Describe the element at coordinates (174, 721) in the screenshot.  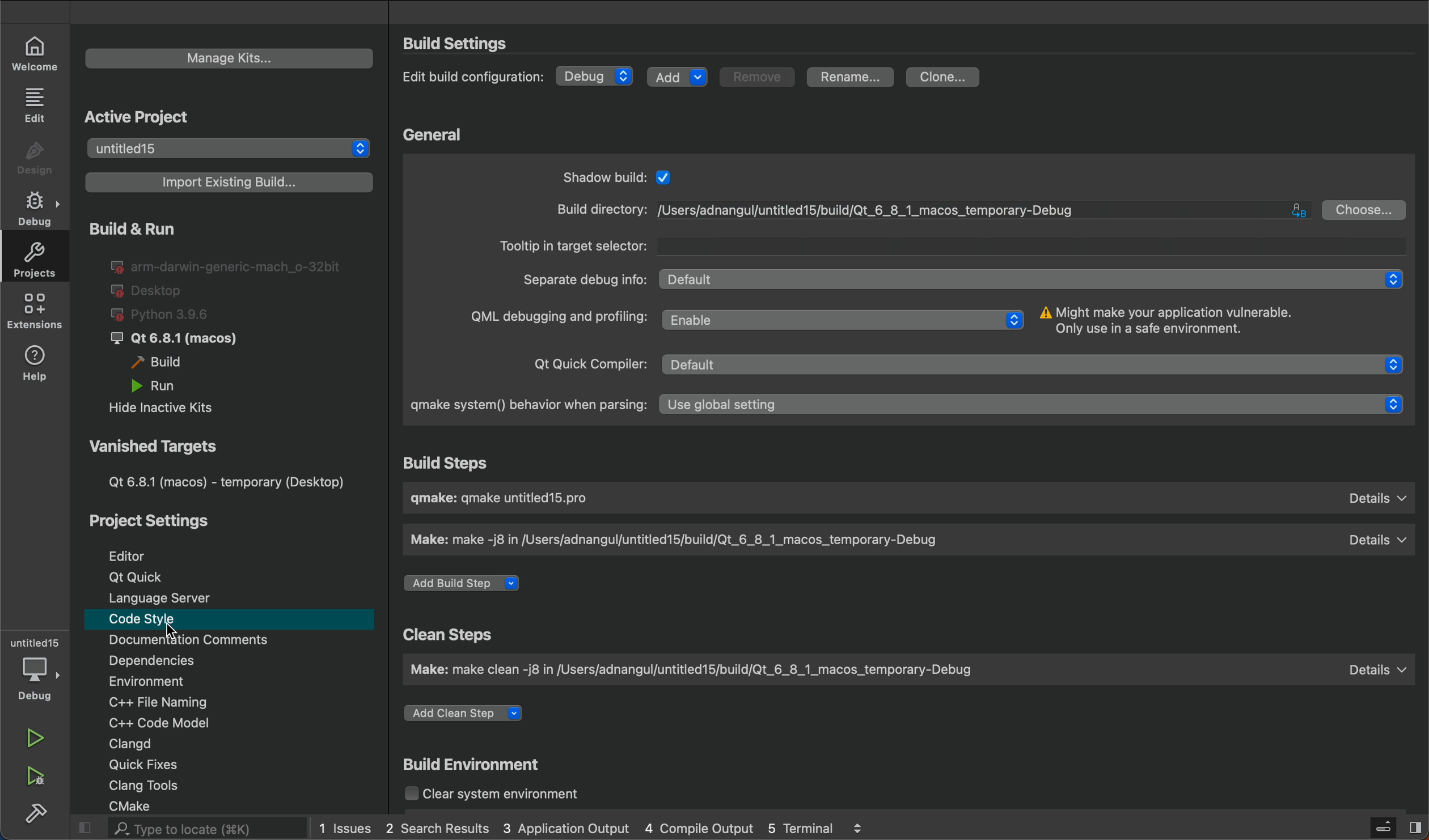
I see `c-- code modal` at that location.